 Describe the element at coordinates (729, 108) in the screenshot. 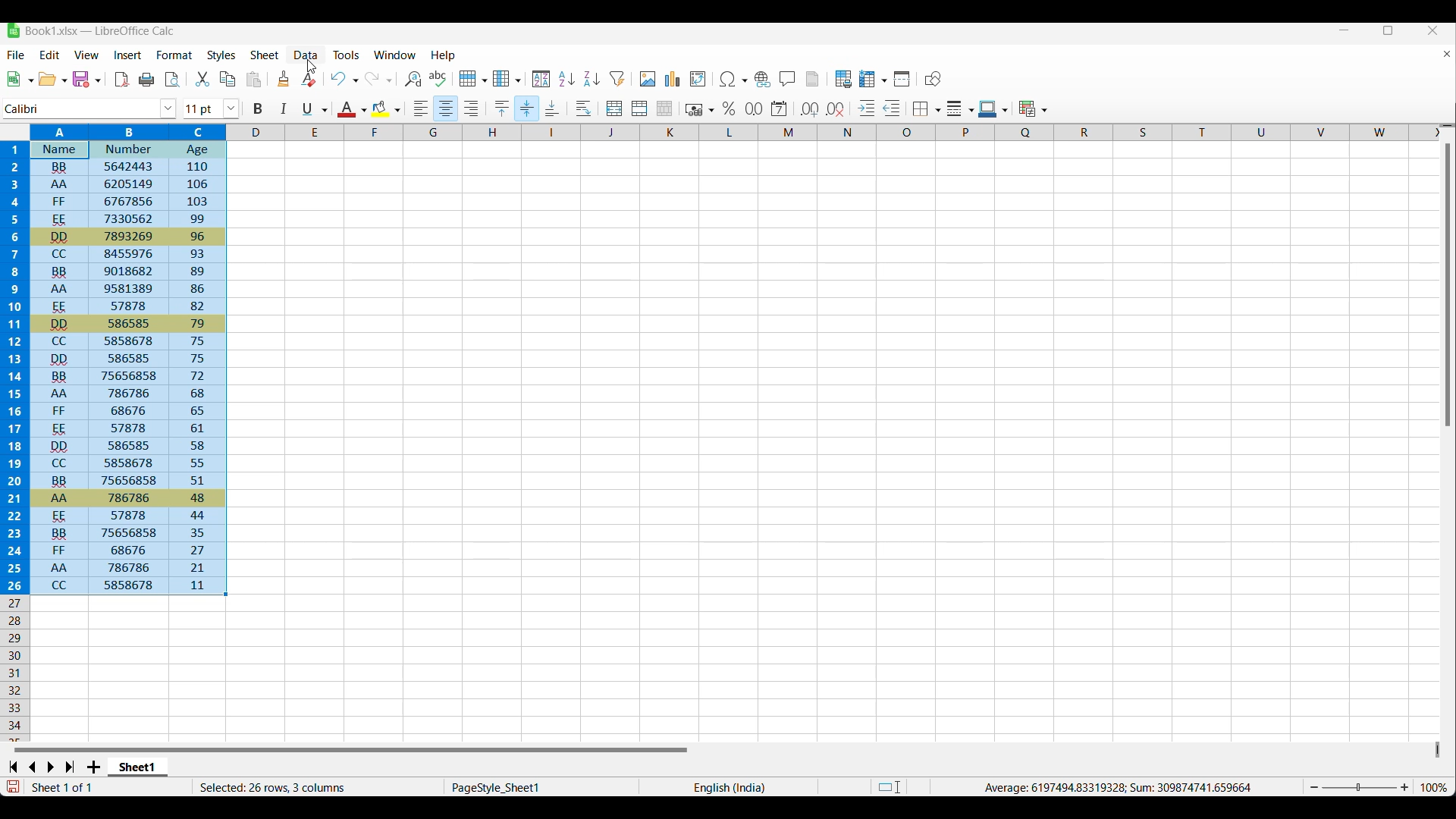

I see `Format as percent` at that location.